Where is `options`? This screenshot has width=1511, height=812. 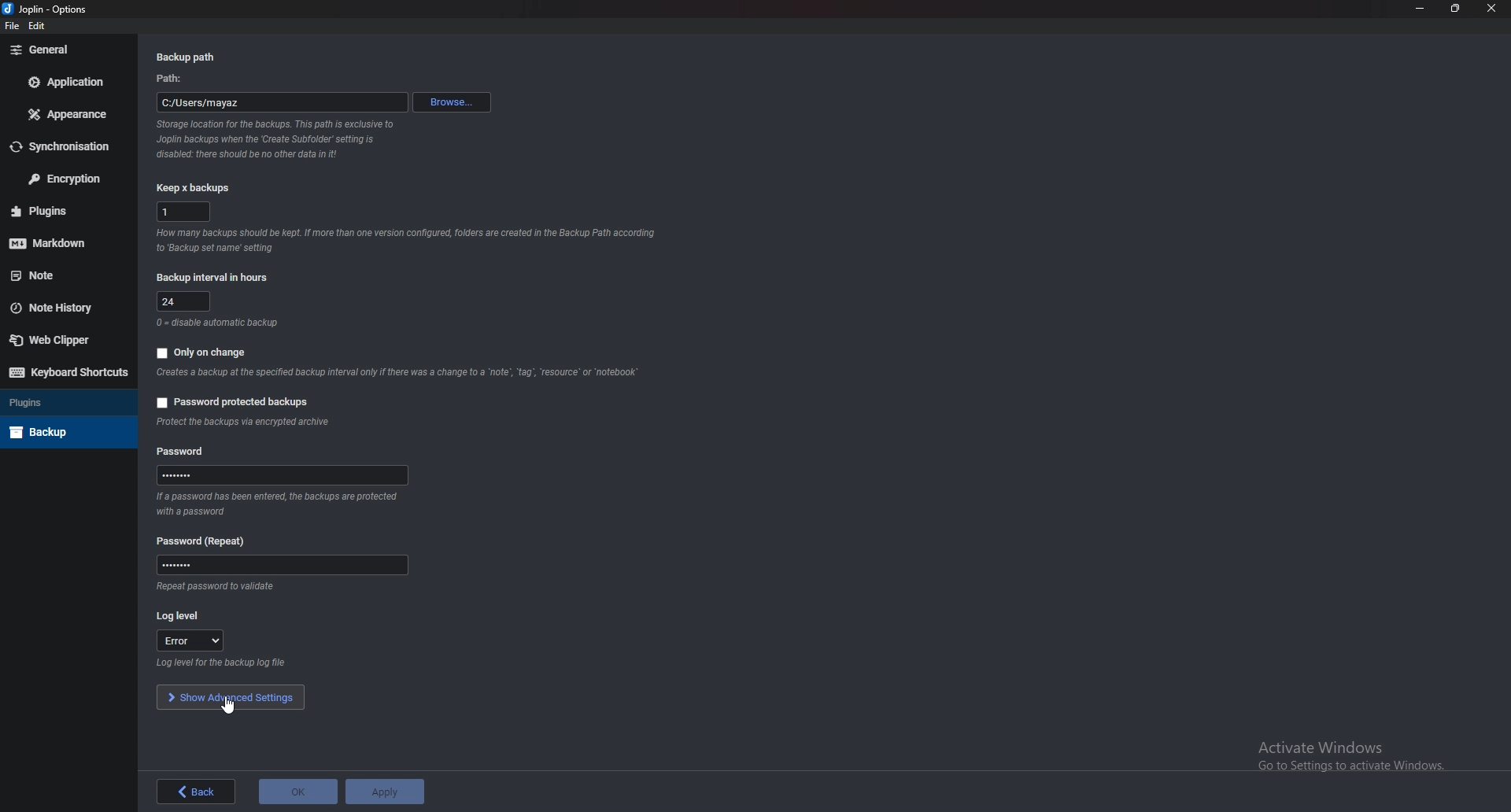 options is located at coordinates (72, 9).